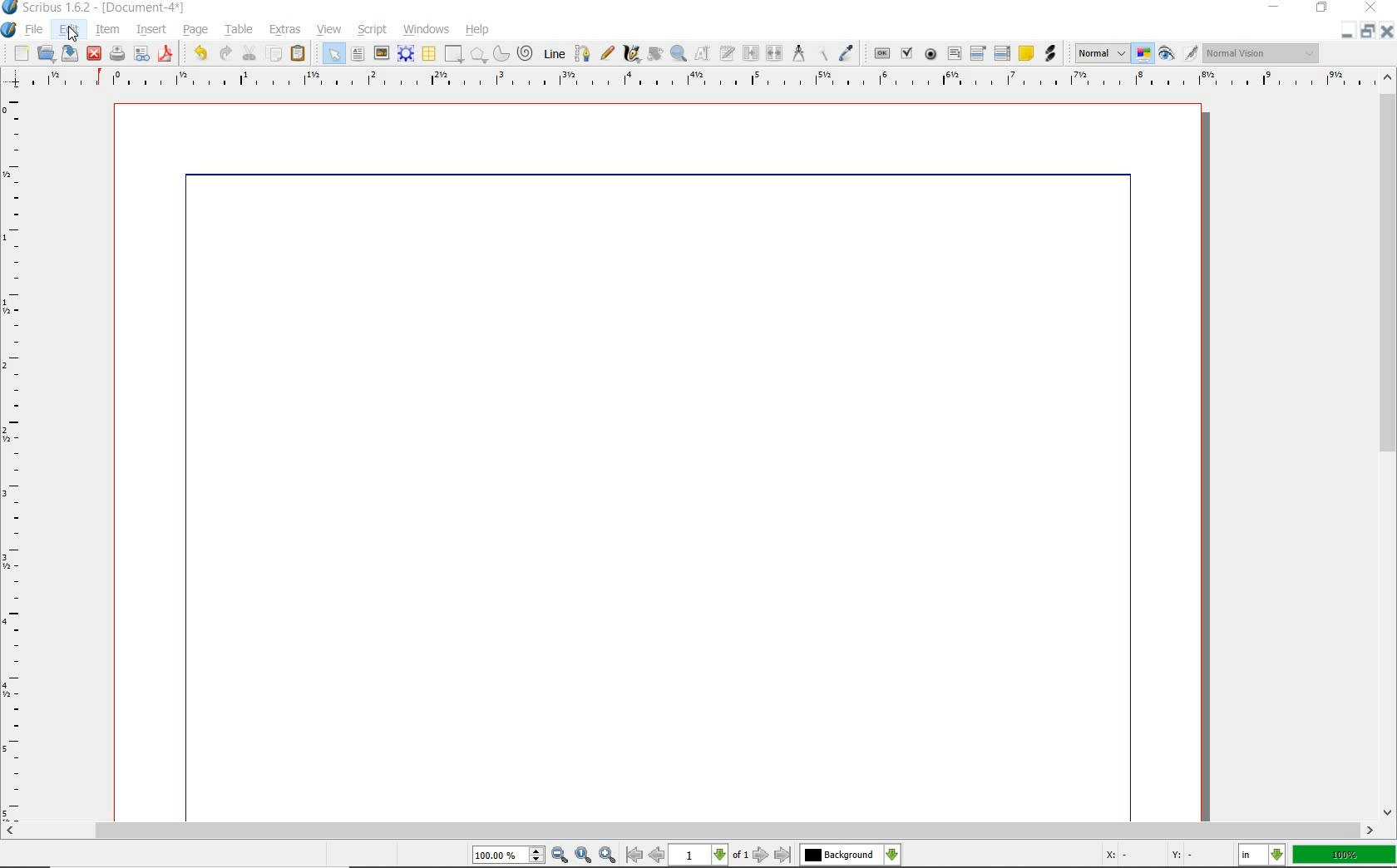 The width and height of the screenshot is (1397, 868). What do you see at coordinates (1025, 54) in the screenshot?
I see `text annotation` at bounding box center [1025, 54].